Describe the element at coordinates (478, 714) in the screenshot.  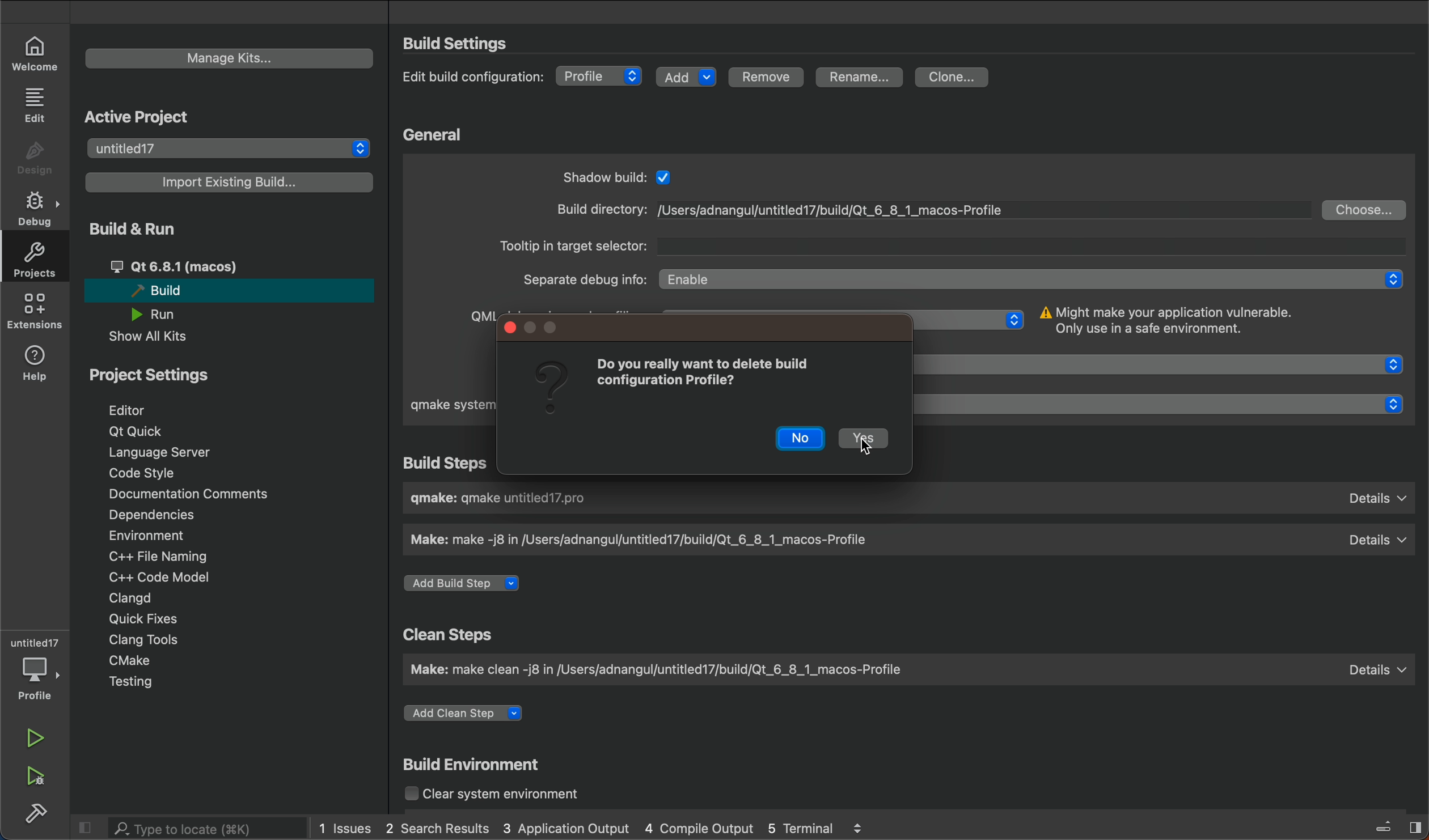
I see `add a step` at that location.